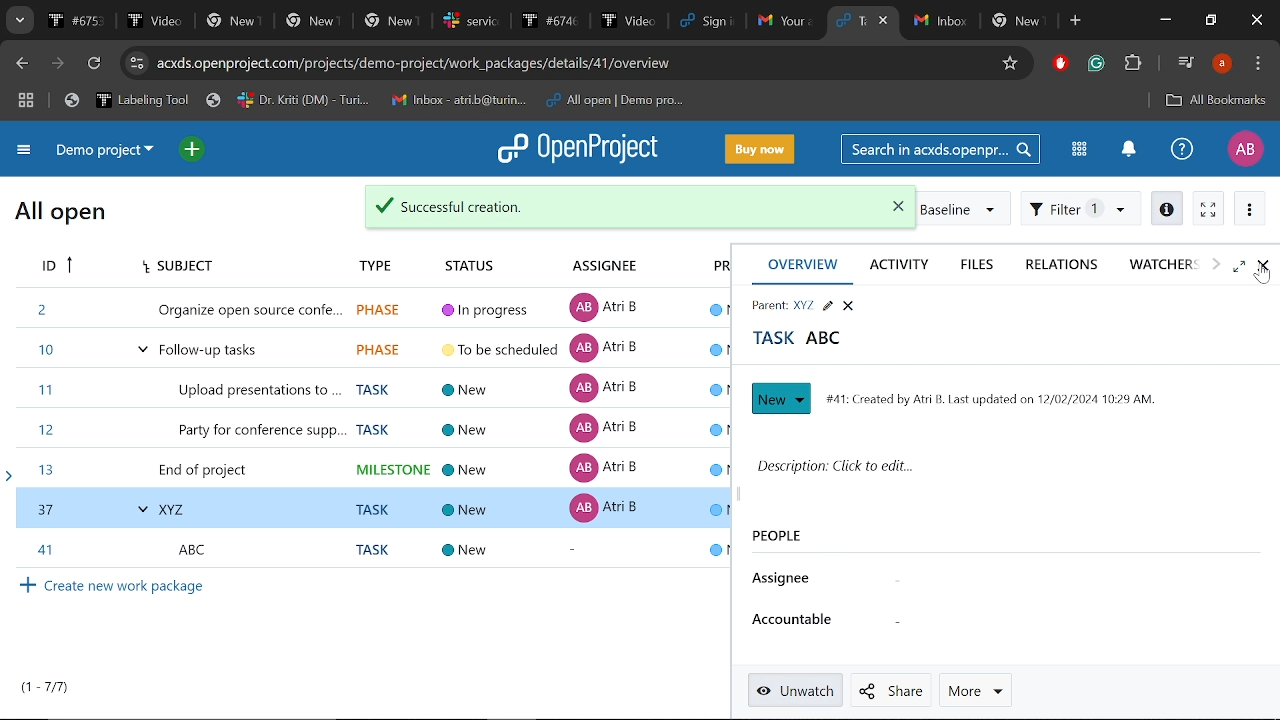 Image resolution: width=1280 pixels, height=720 pixels. I want to click on Open project menu, so click(579, 149).